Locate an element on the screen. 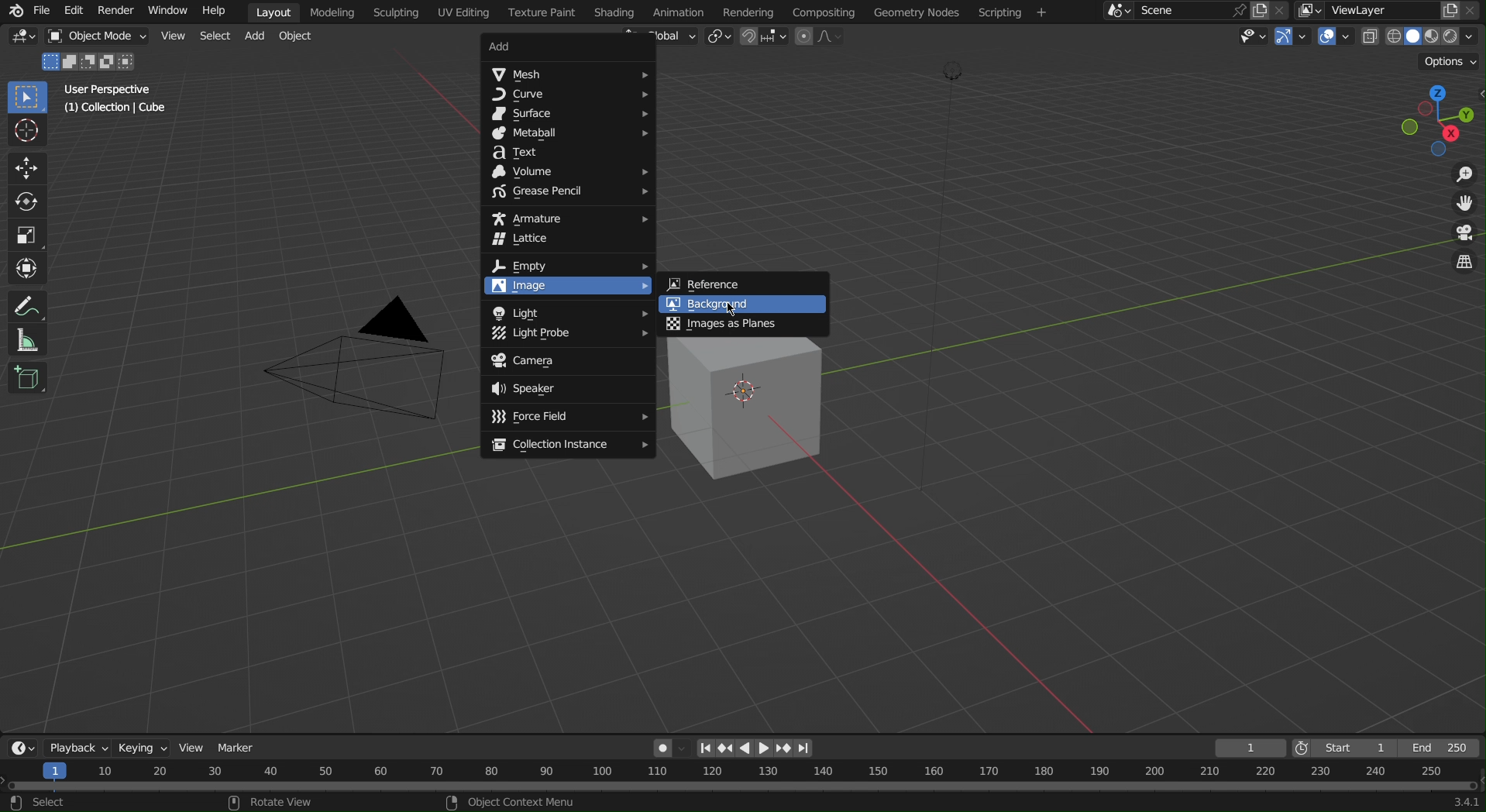 This screenshot has height=812, width=1486. Options is located at coordinates (1448, 60).